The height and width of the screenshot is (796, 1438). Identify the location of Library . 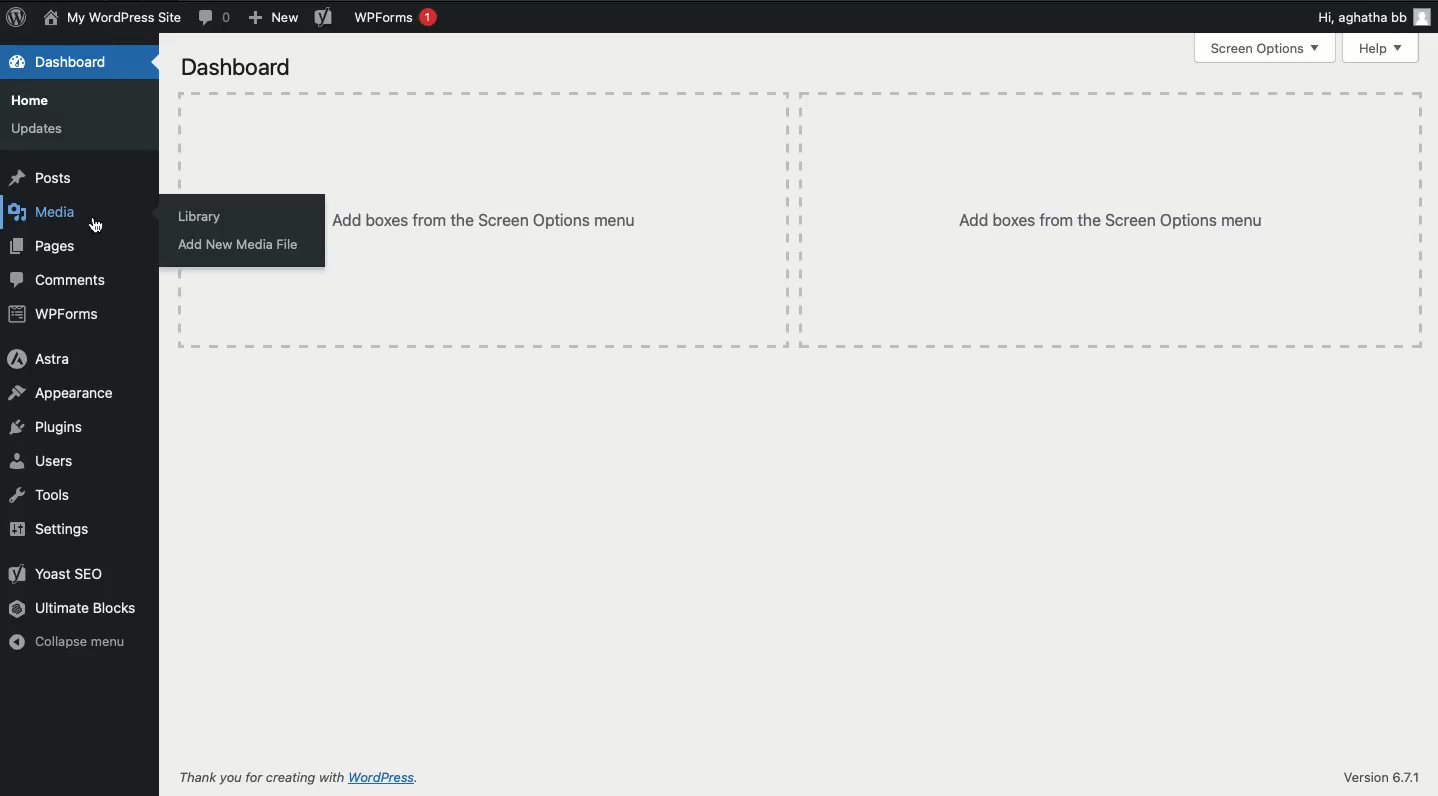
(201, 216).